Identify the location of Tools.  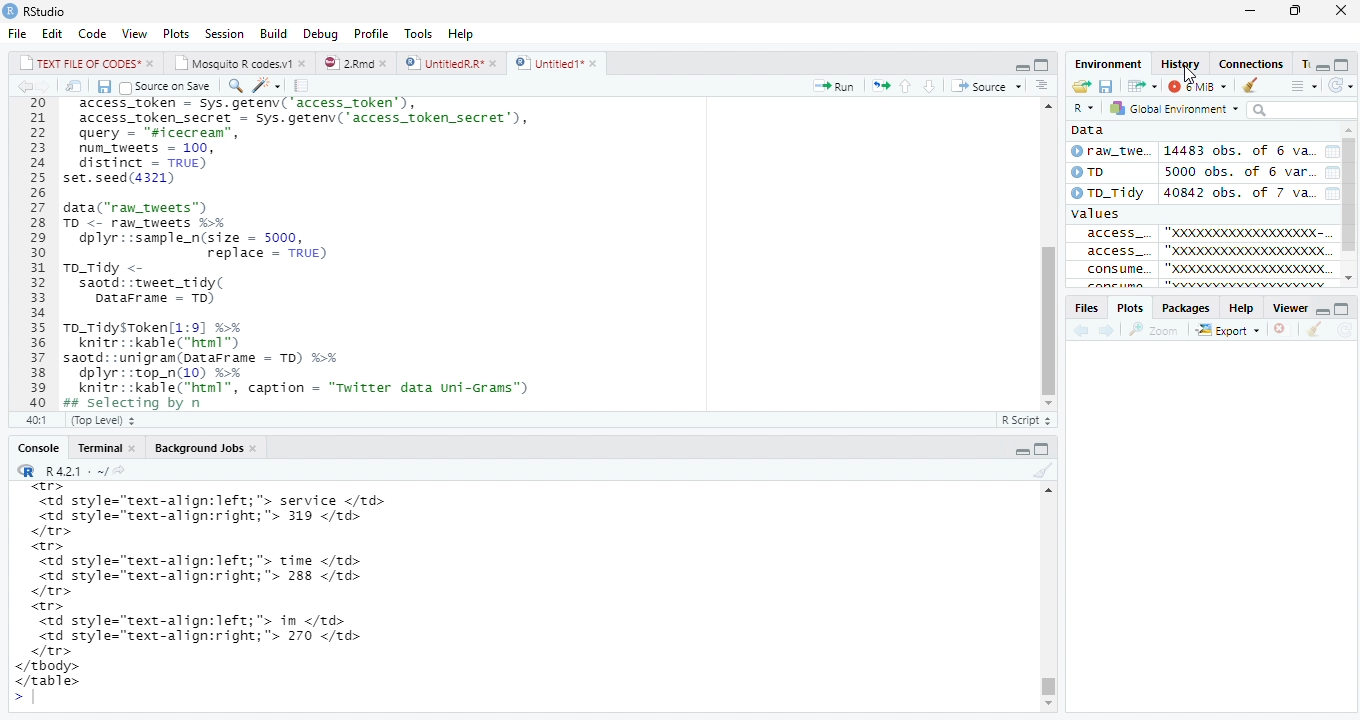
(416, 32).